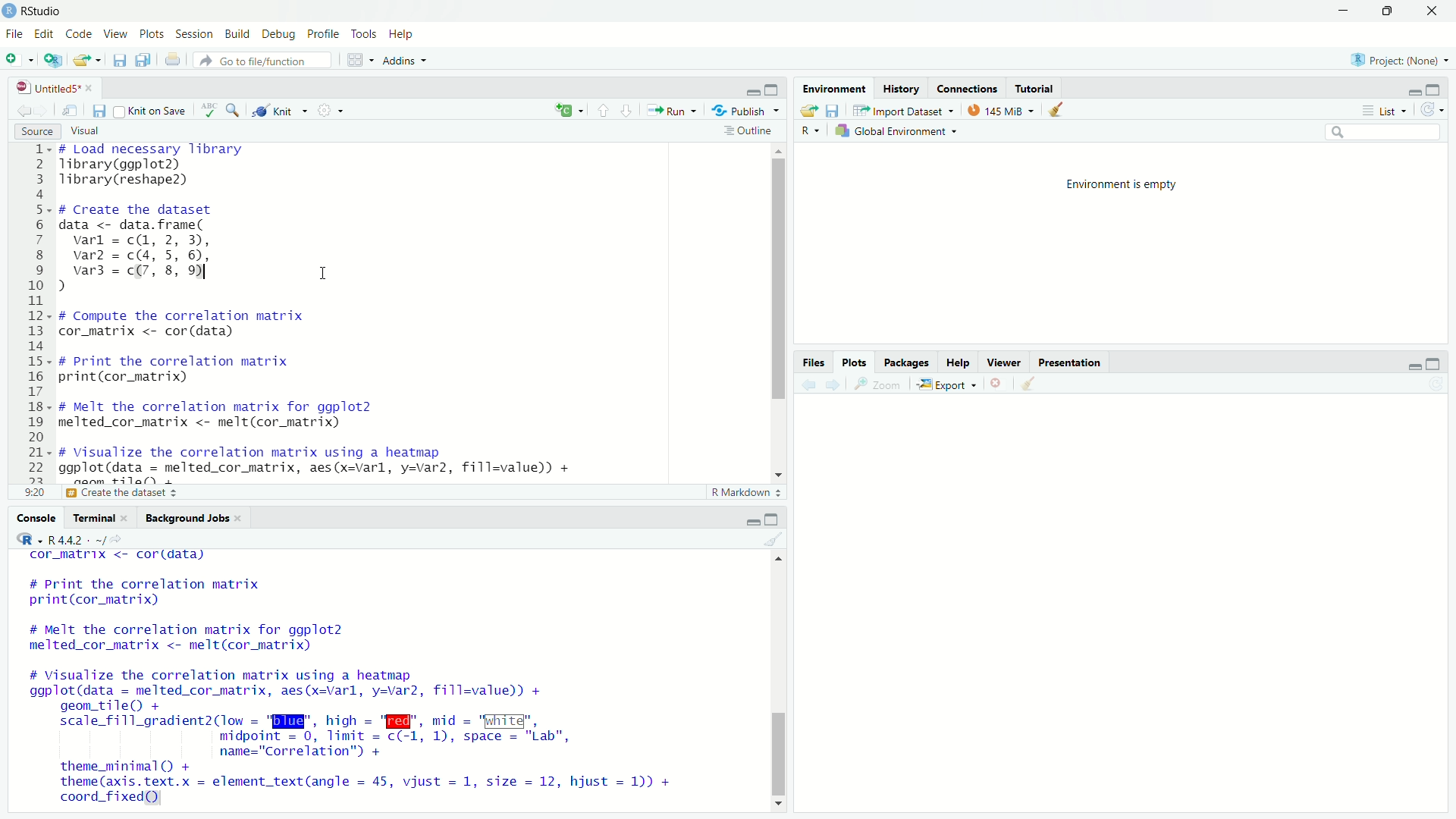 The image size is (1456, 819). I want to click on settings, so click(329, 110).